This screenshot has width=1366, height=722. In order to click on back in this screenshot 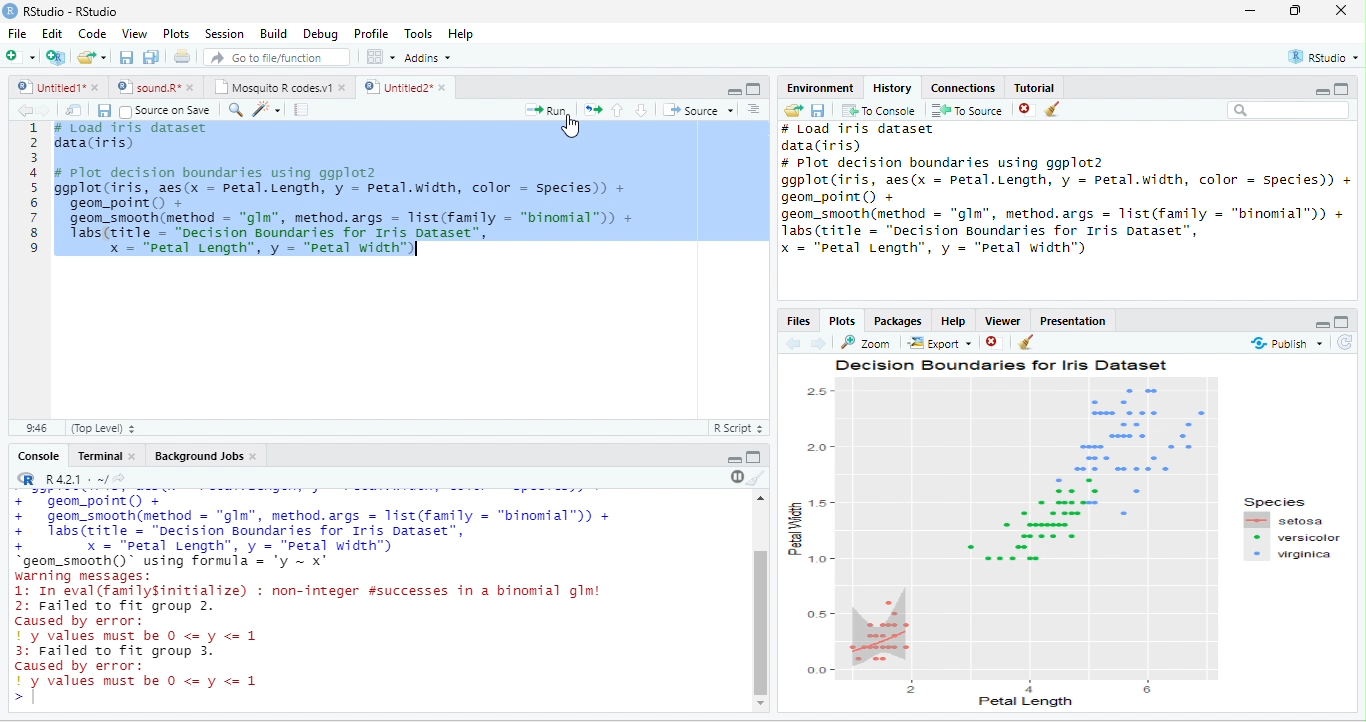, I will do `click(25, 111)`.